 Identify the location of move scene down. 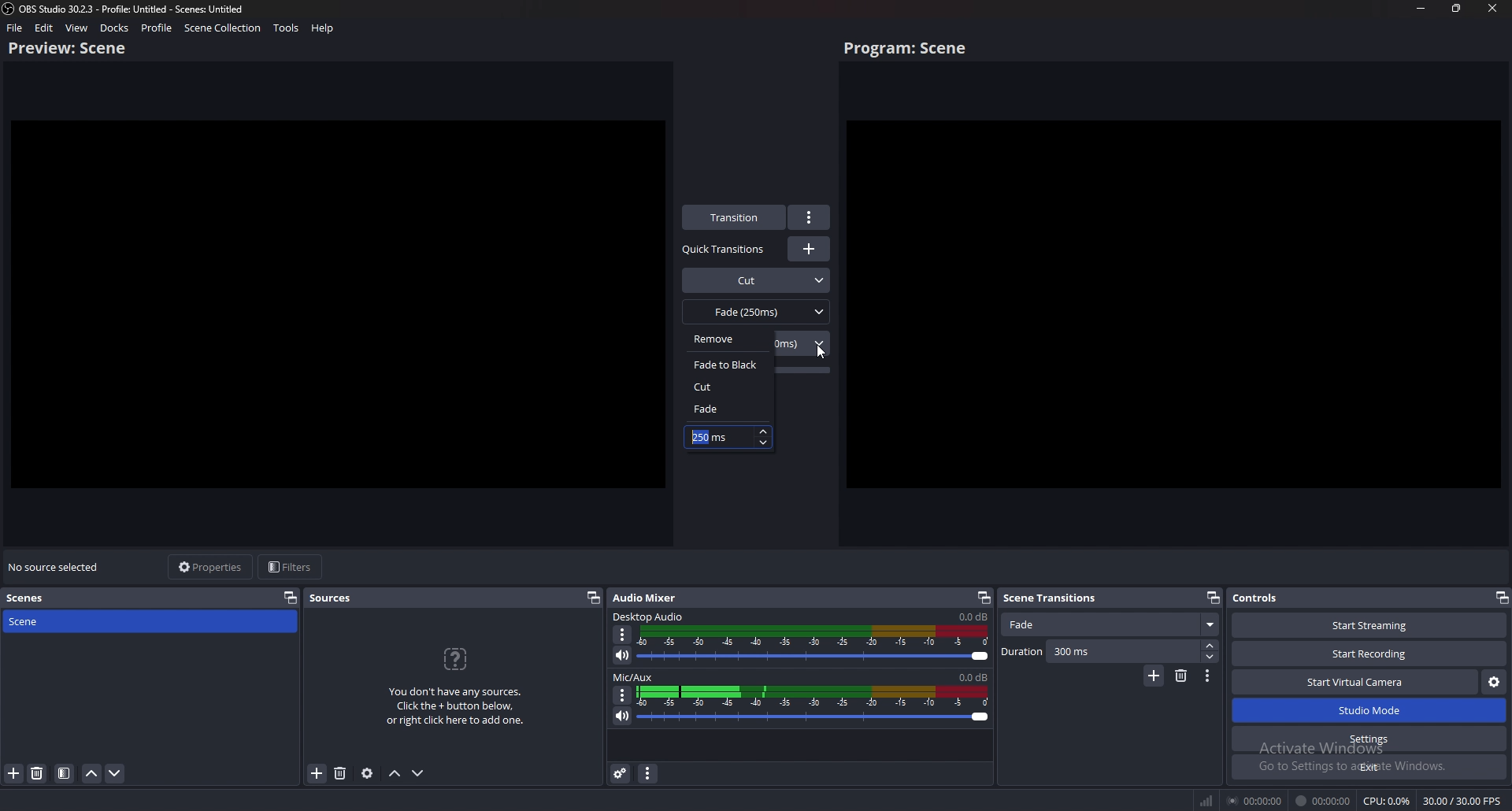
(116, 776).